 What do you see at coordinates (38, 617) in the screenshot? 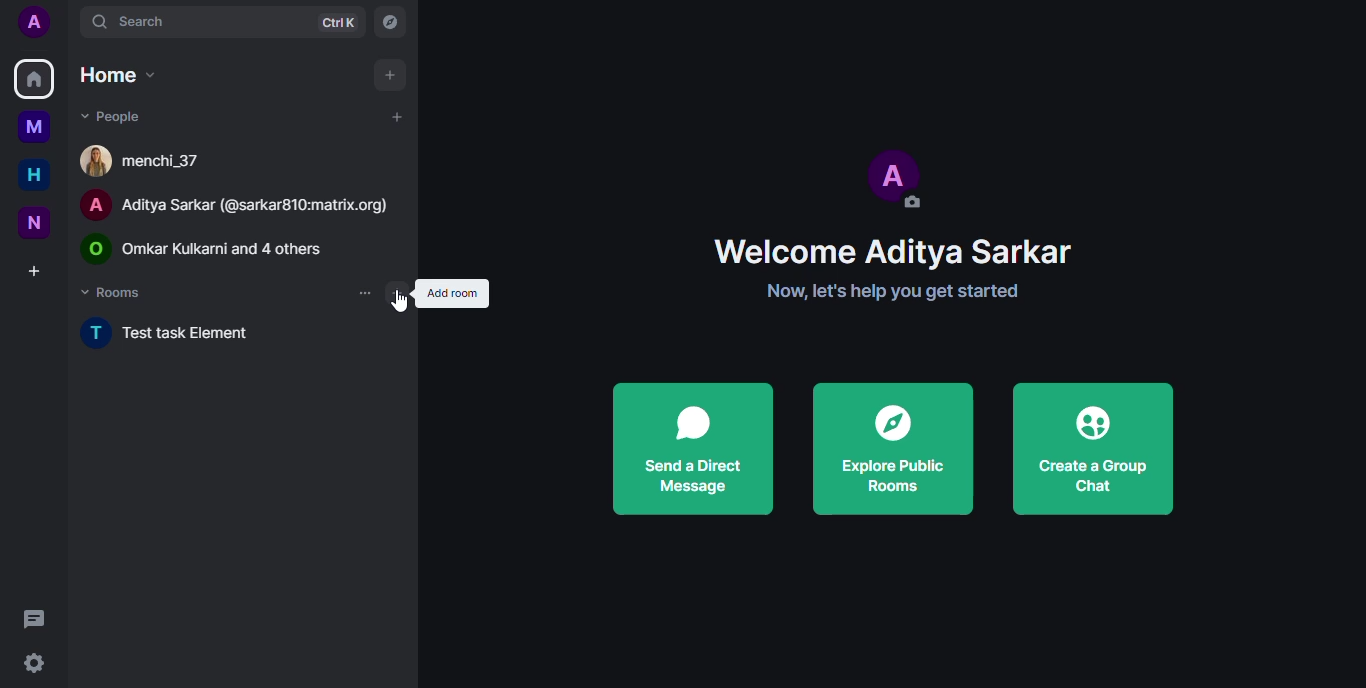
I see `threads` at bounding box center [38, 617].